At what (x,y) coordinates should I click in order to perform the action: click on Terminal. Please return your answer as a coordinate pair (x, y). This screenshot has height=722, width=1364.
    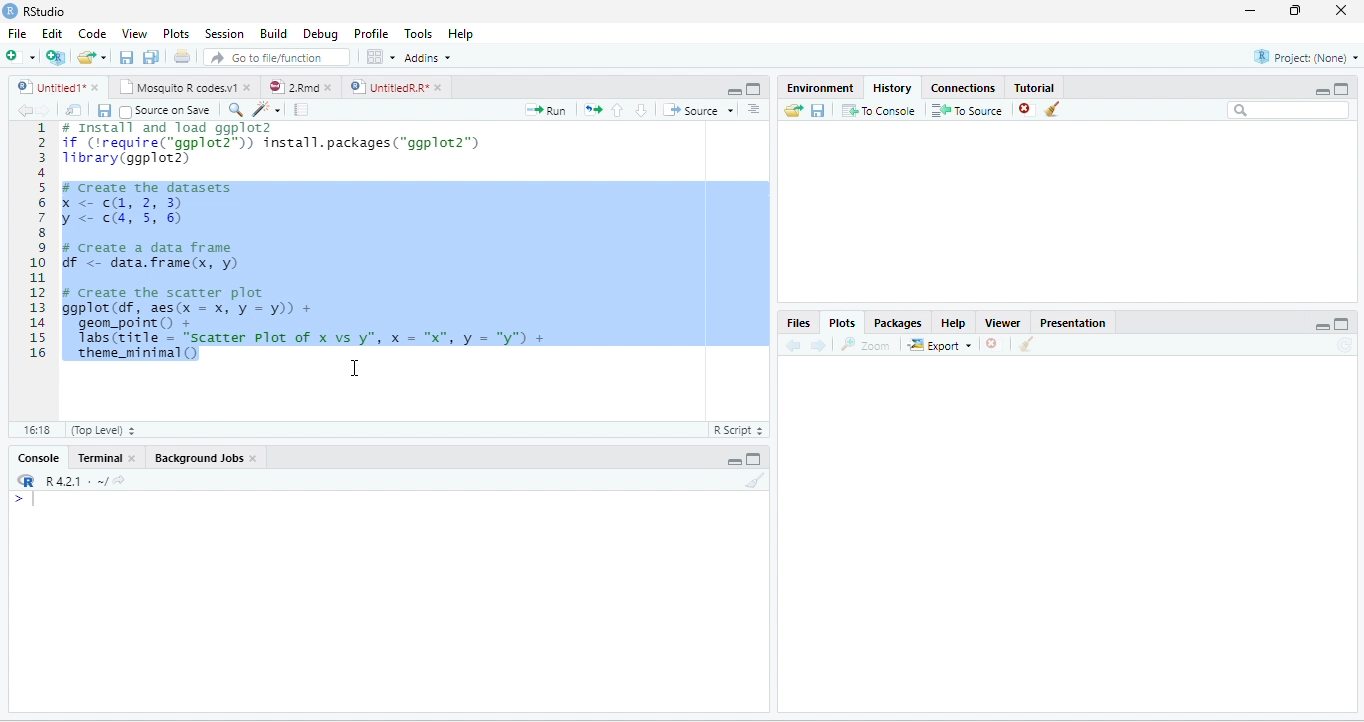
    Looking at the image, I should click on (99, 458).